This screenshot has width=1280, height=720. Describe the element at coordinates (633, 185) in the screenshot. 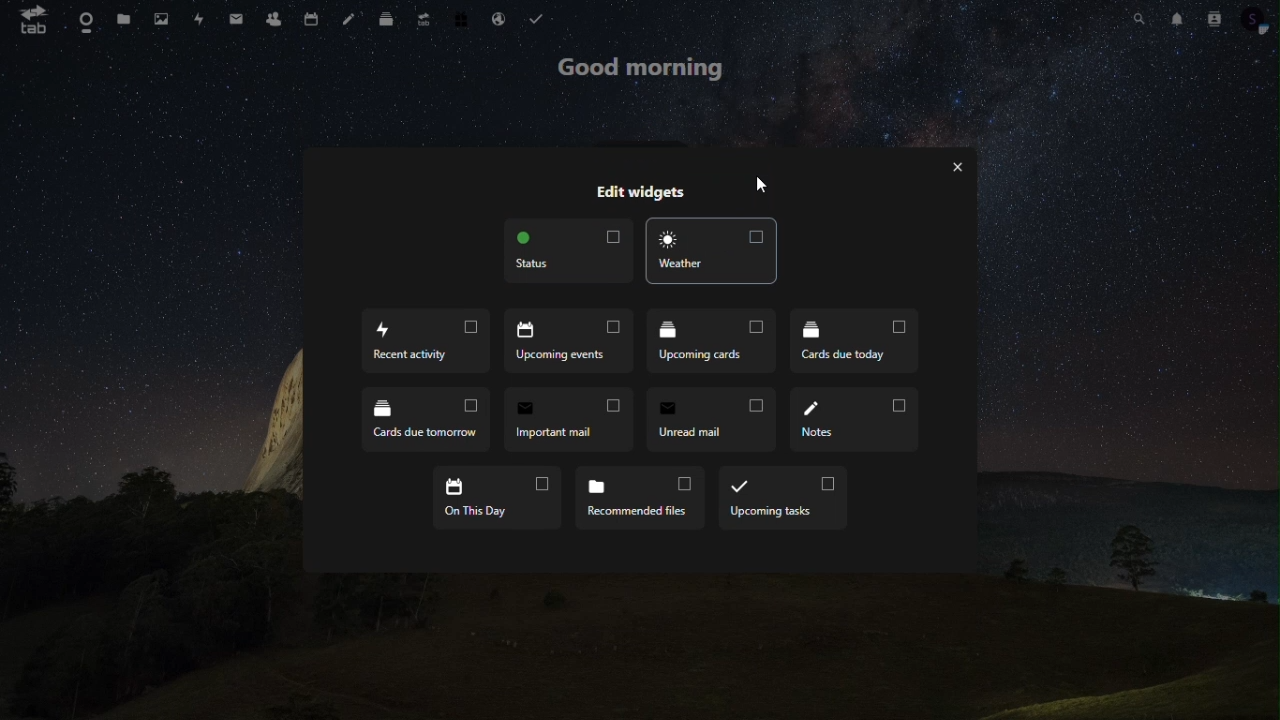

I see `edit widgets` at that location.